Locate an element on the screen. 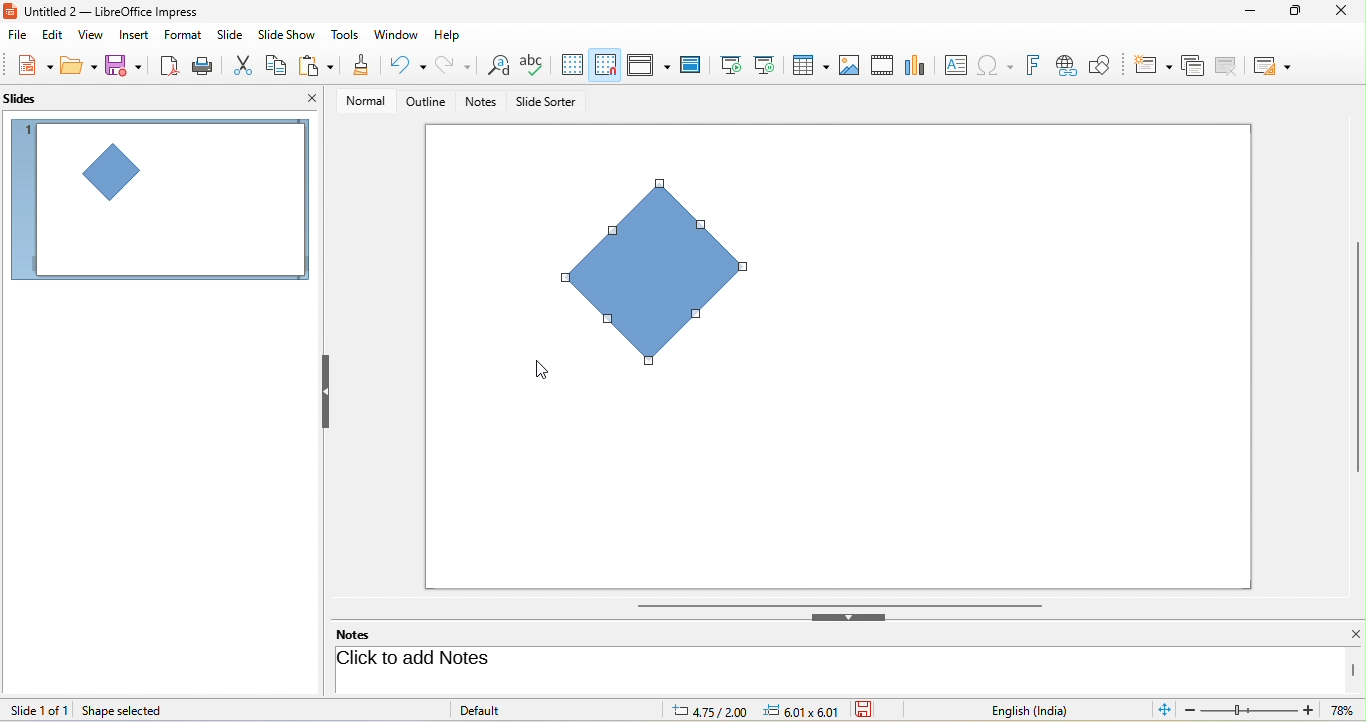  close is located at coordinates (312, 98).